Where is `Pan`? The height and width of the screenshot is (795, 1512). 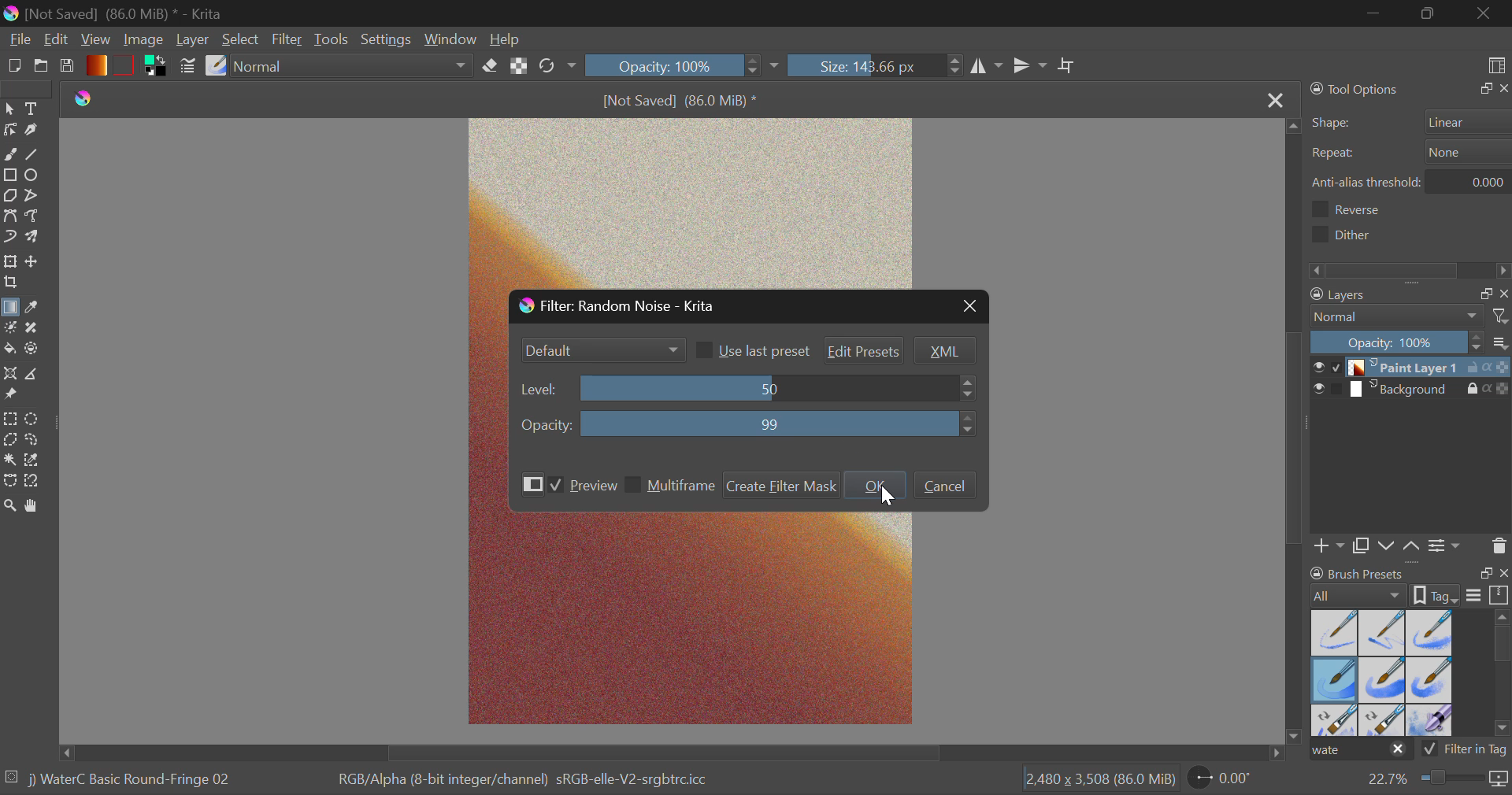 Pan is located at coordinates (37, 507).